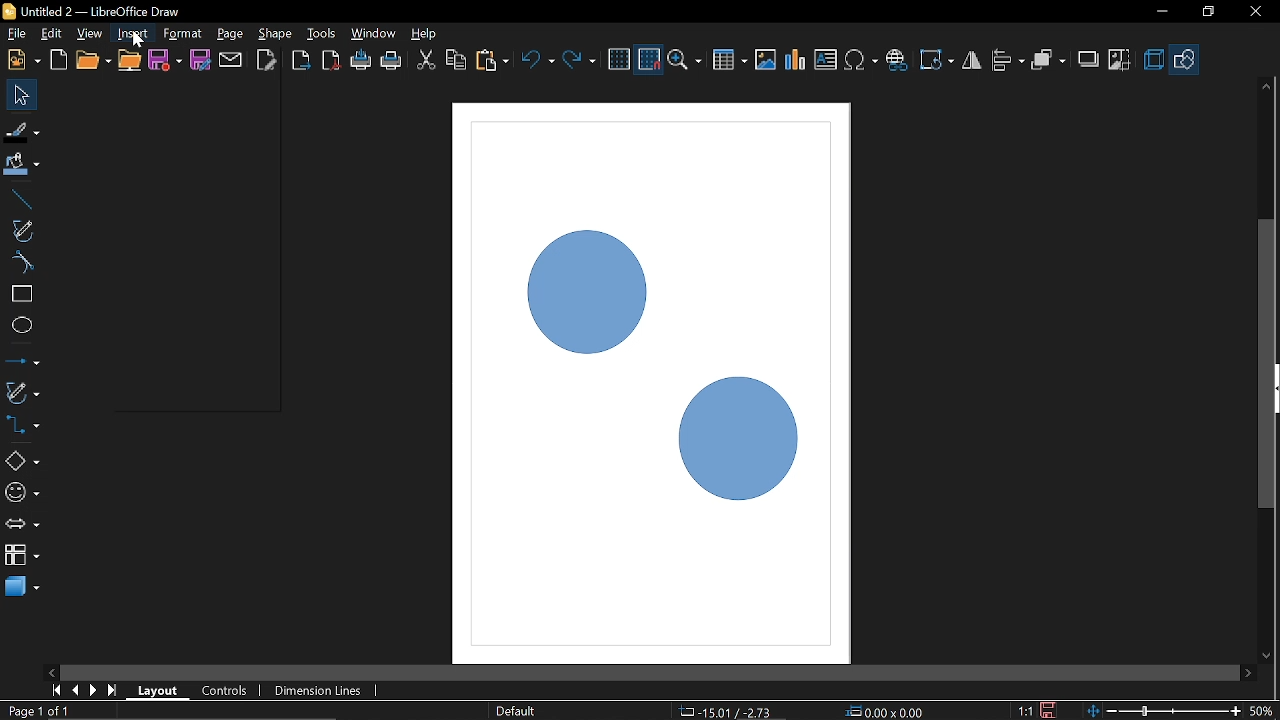 The width and height of the screenshot is (1280, 720). Describe the element at coordinates (50, 669) in the screenshot. I see `Move left` at that location.